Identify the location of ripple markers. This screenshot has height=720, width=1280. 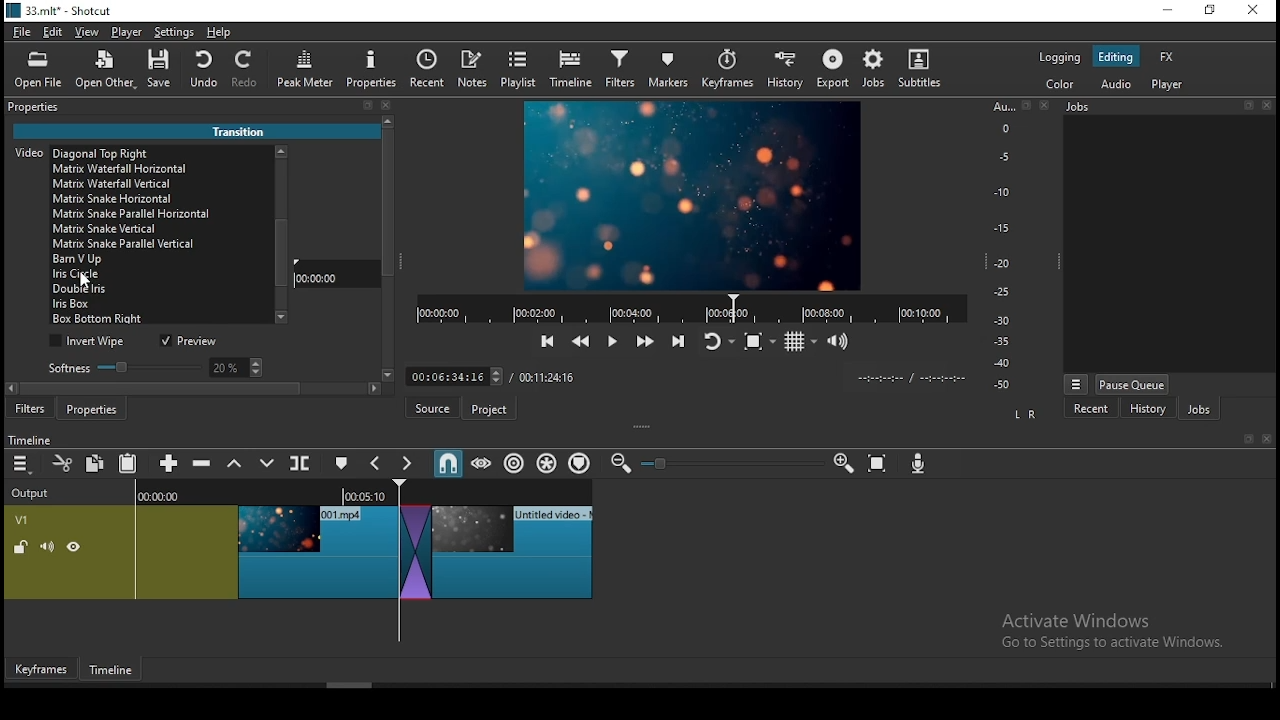
(579, 463).